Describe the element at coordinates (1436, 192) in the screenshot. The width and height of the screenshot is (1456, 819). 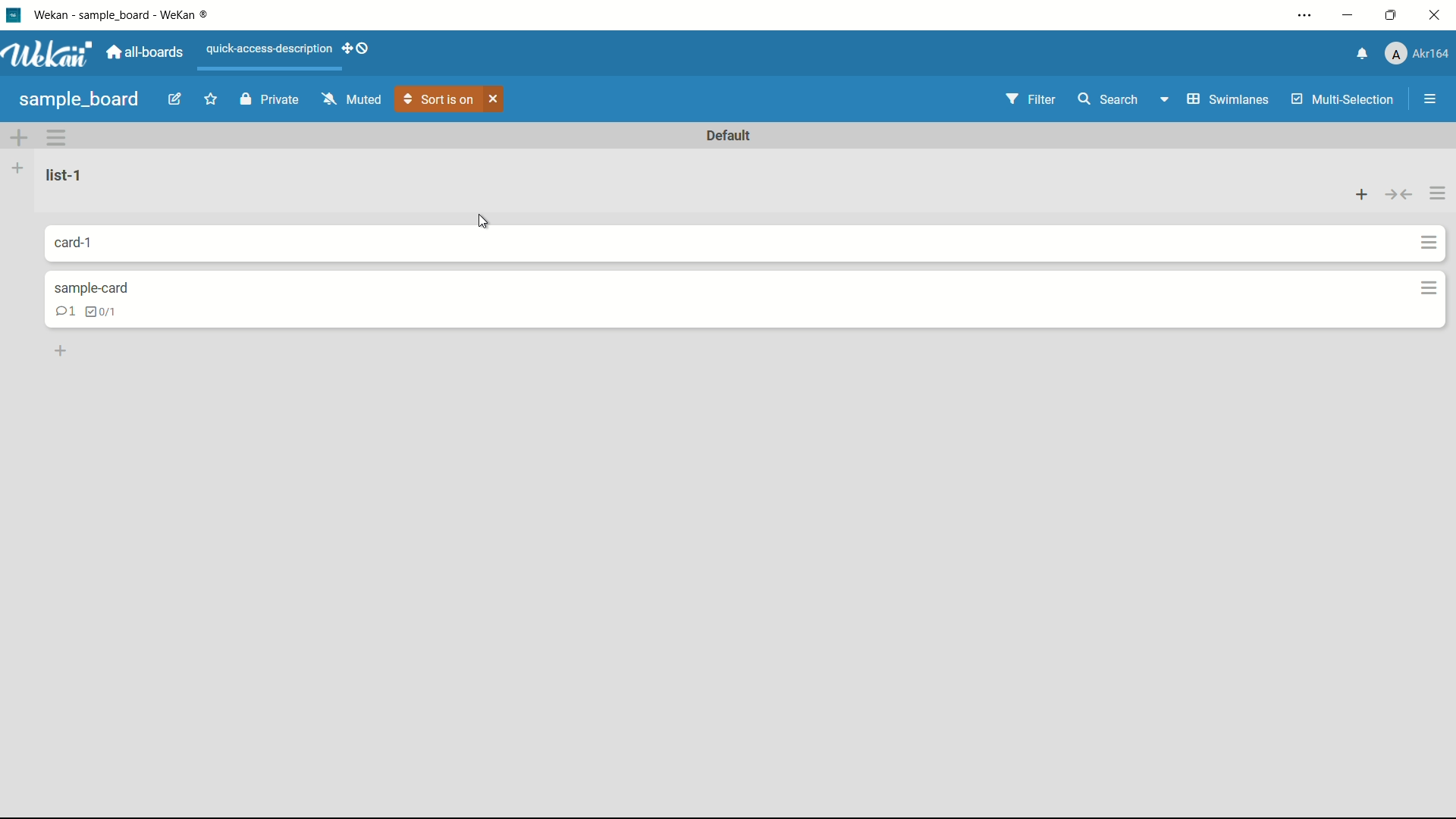
I see `list actions` at that location.